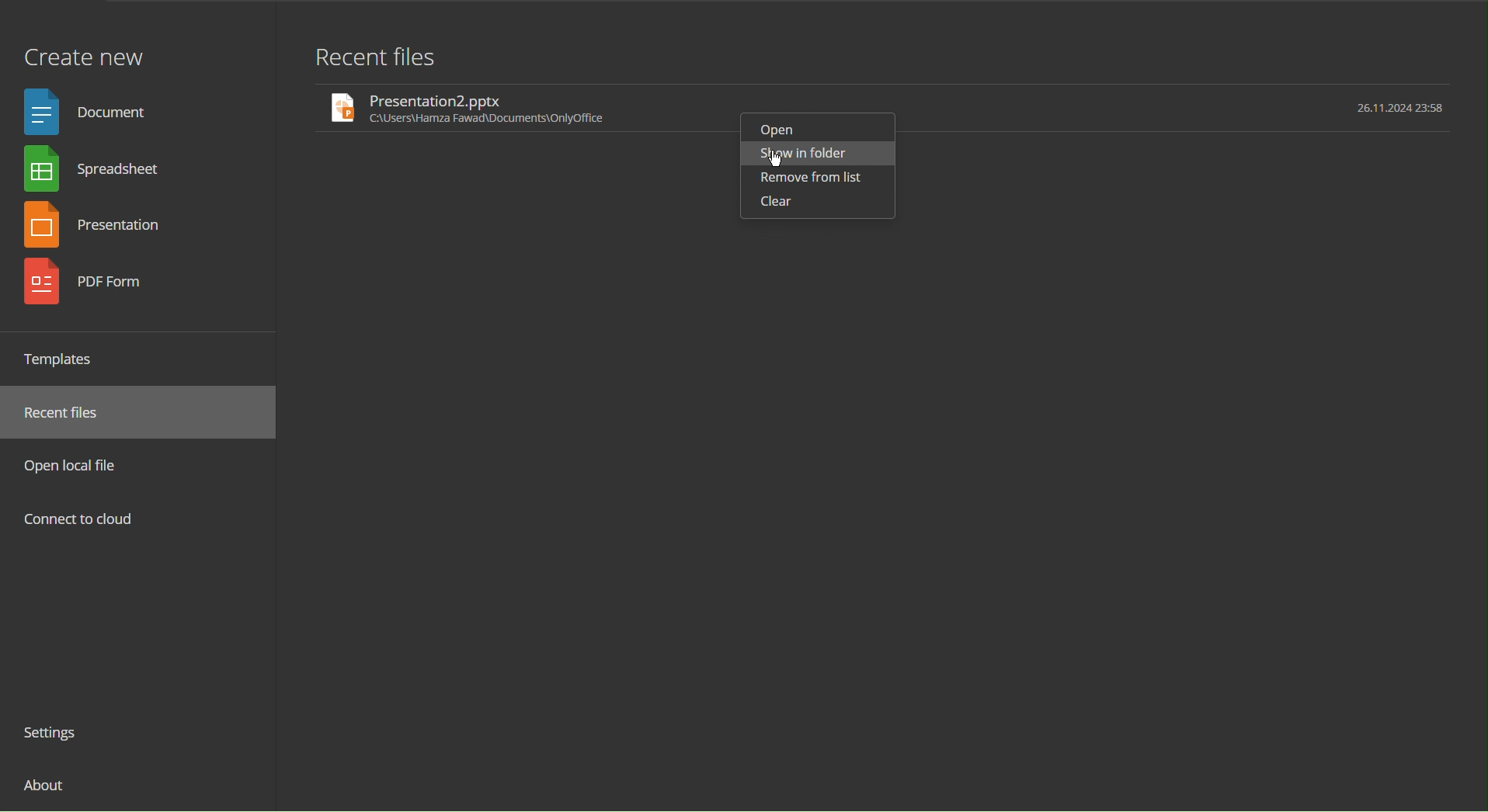 Image resolution: width=1488 pixels, height=812 pixels. Describe the element at coordinates (92, 110) in the screenshot. I see `Document` at that location.